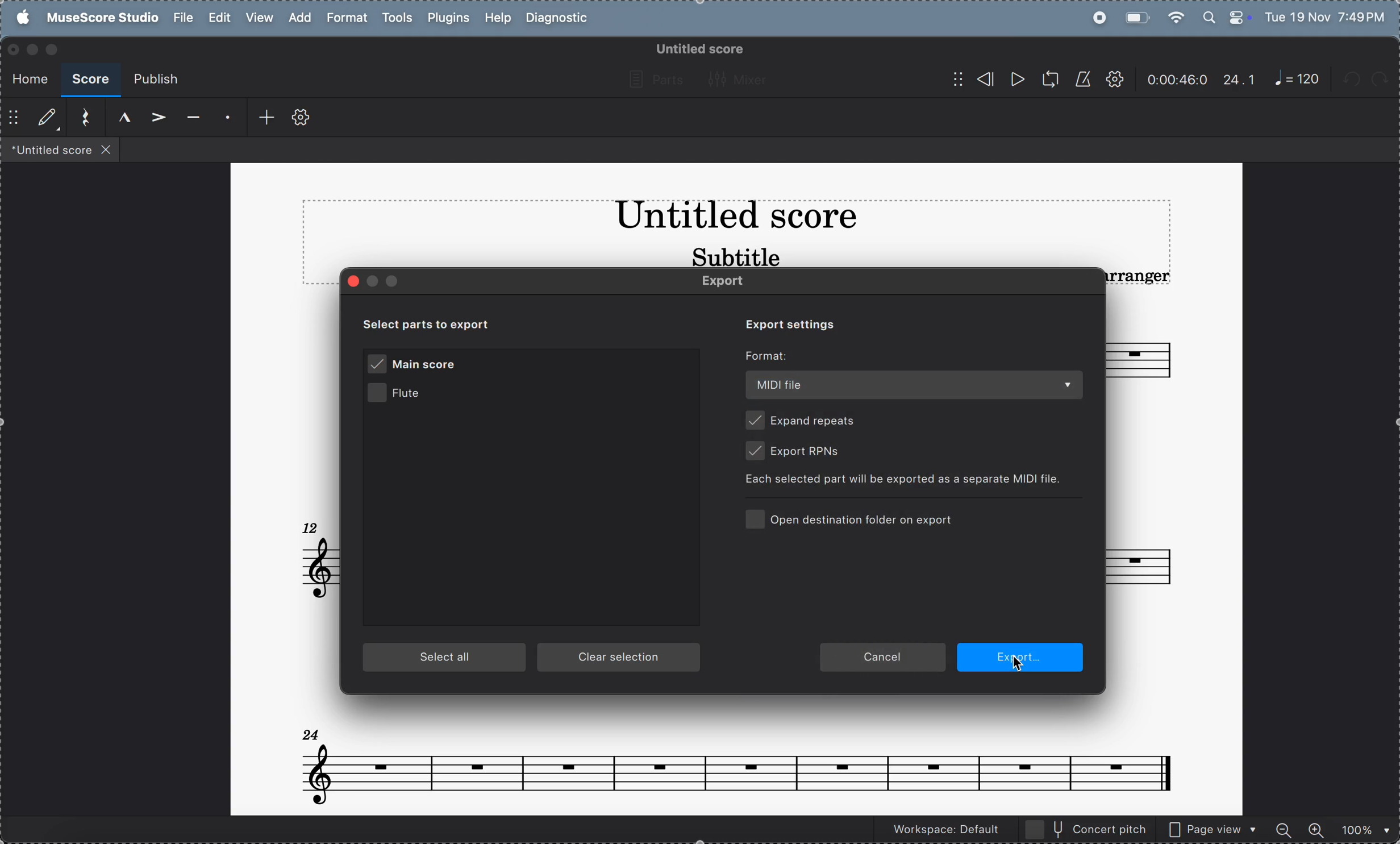 The image size is (1400, 844). What do you see at coordinates (445, 658) in the screenshot?
I see `select all` at bounding box center [445, 658].